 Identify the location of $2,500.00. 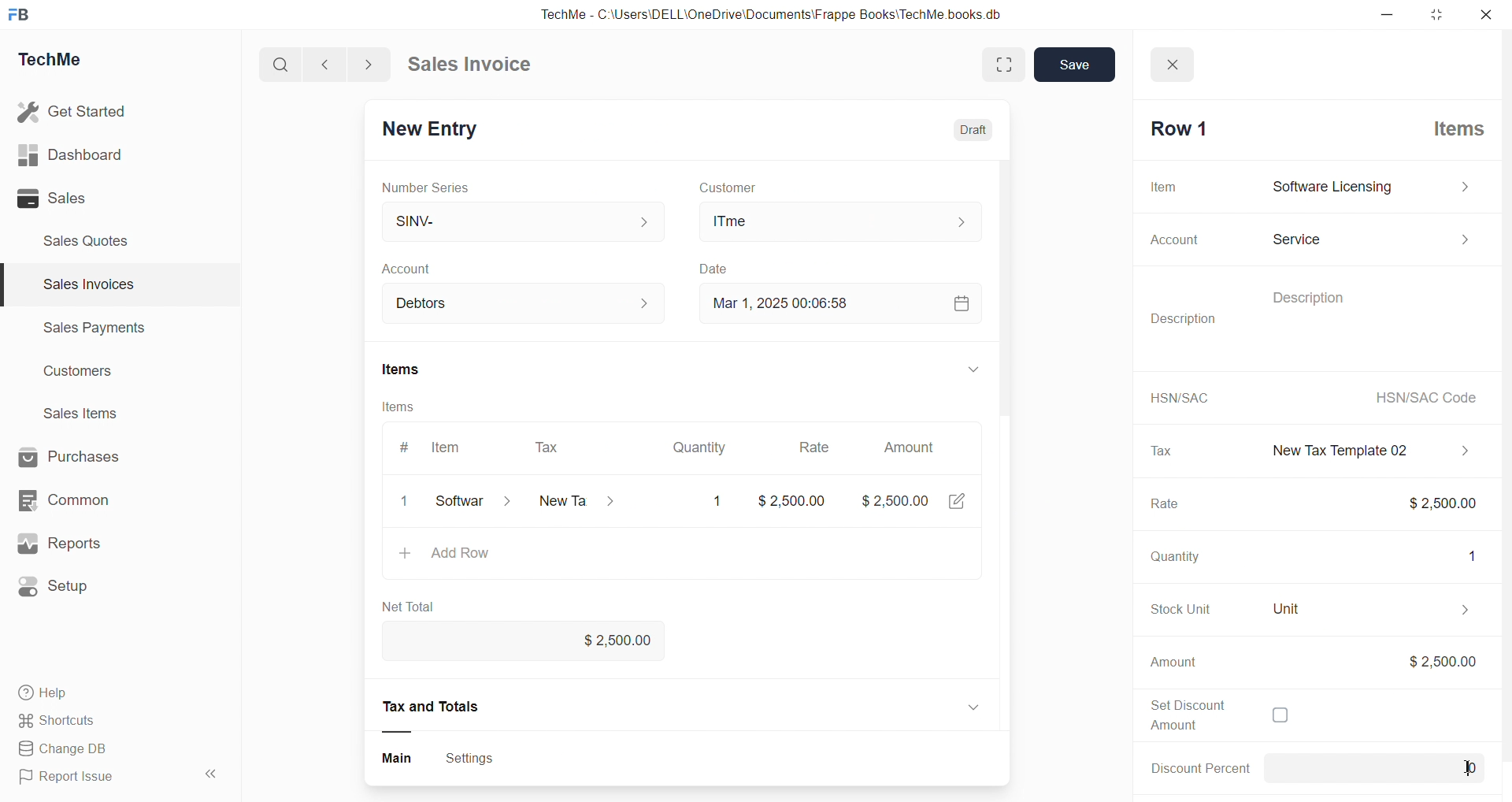
(1440, 661).